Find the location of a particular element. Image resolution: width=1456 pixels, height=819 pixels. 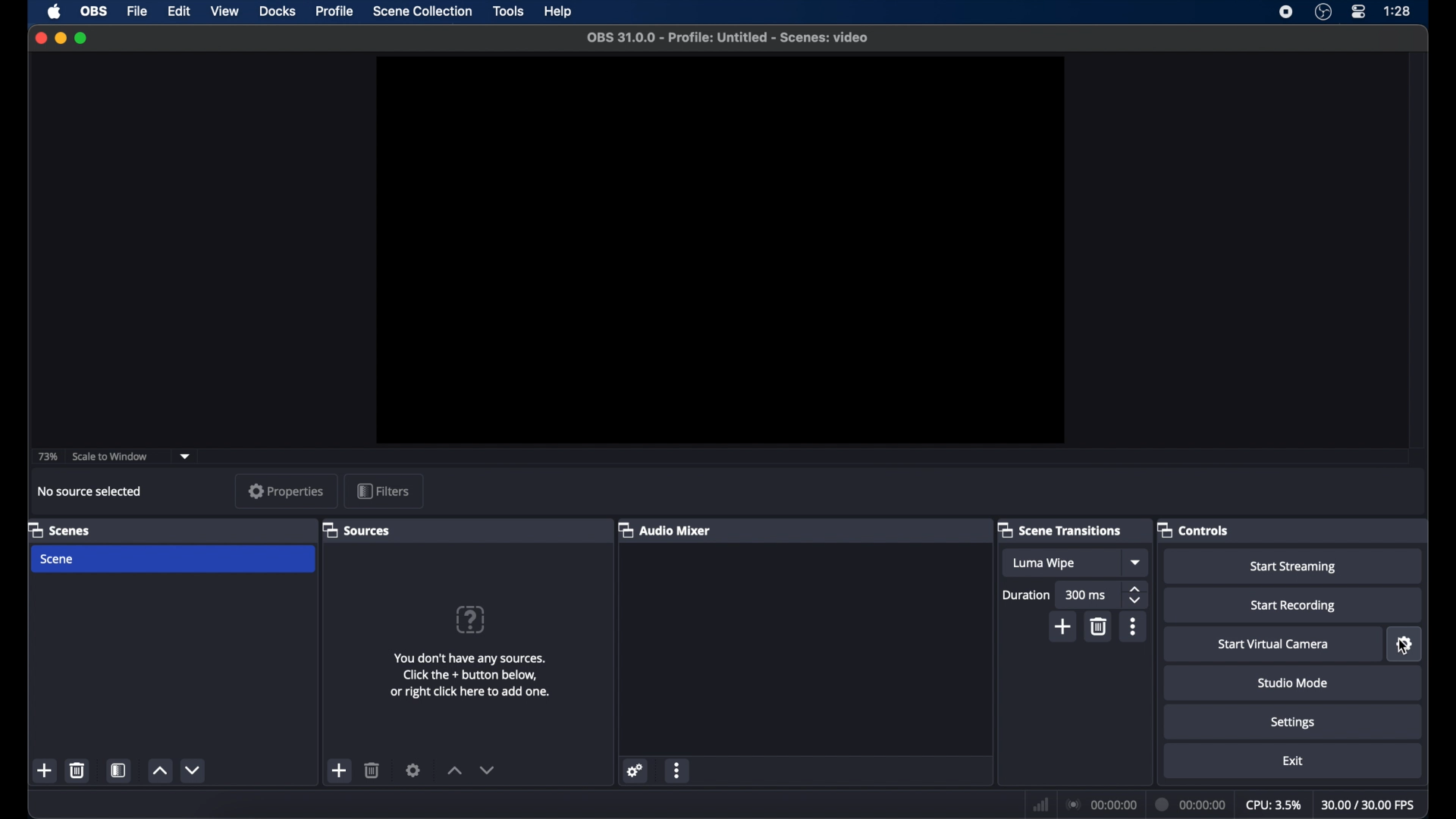

dropdown is located at coordinates (1134, 563).